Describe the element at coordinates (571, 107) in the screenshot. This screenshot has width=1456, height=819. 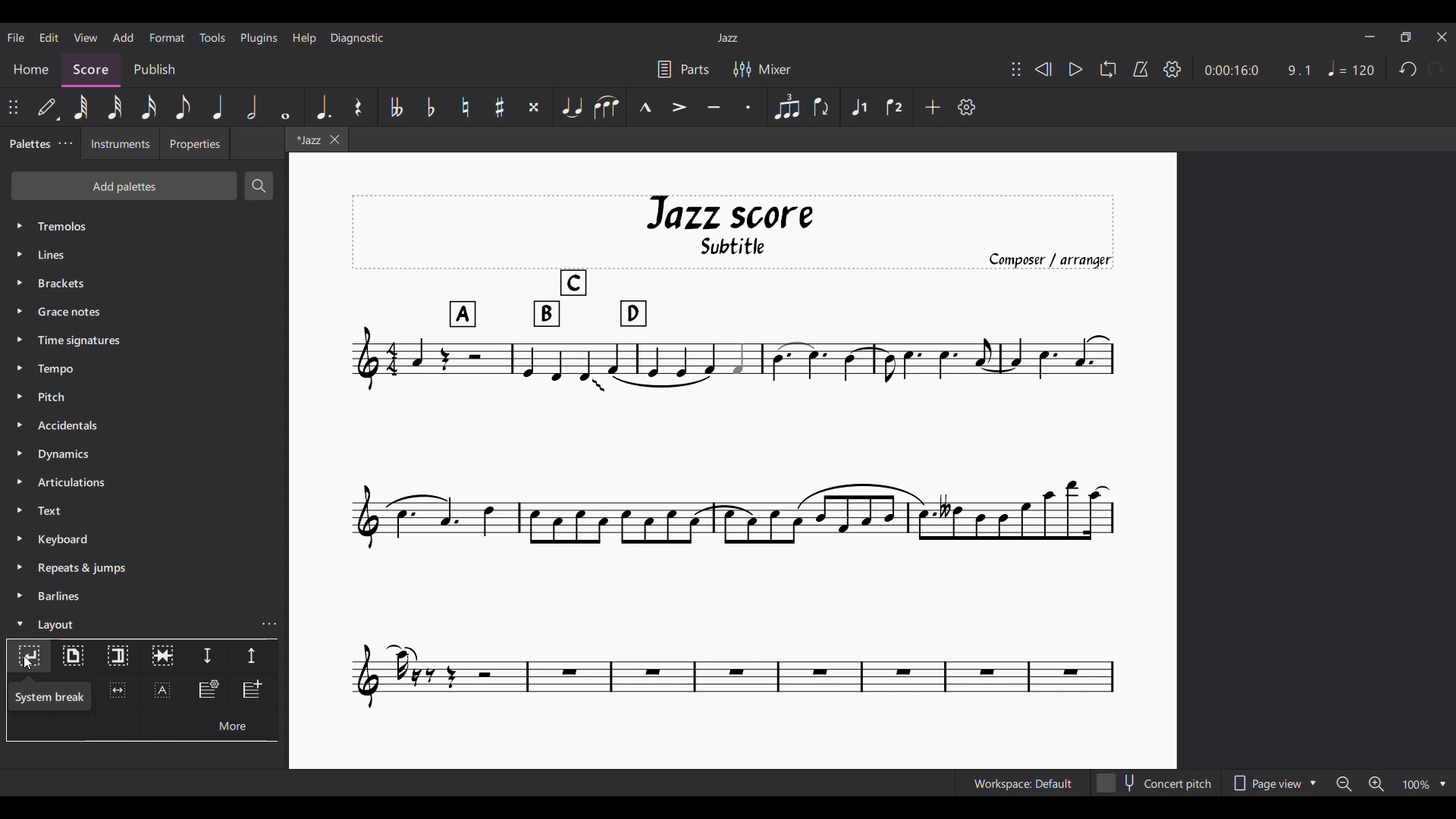
I see `Tie` at that location.